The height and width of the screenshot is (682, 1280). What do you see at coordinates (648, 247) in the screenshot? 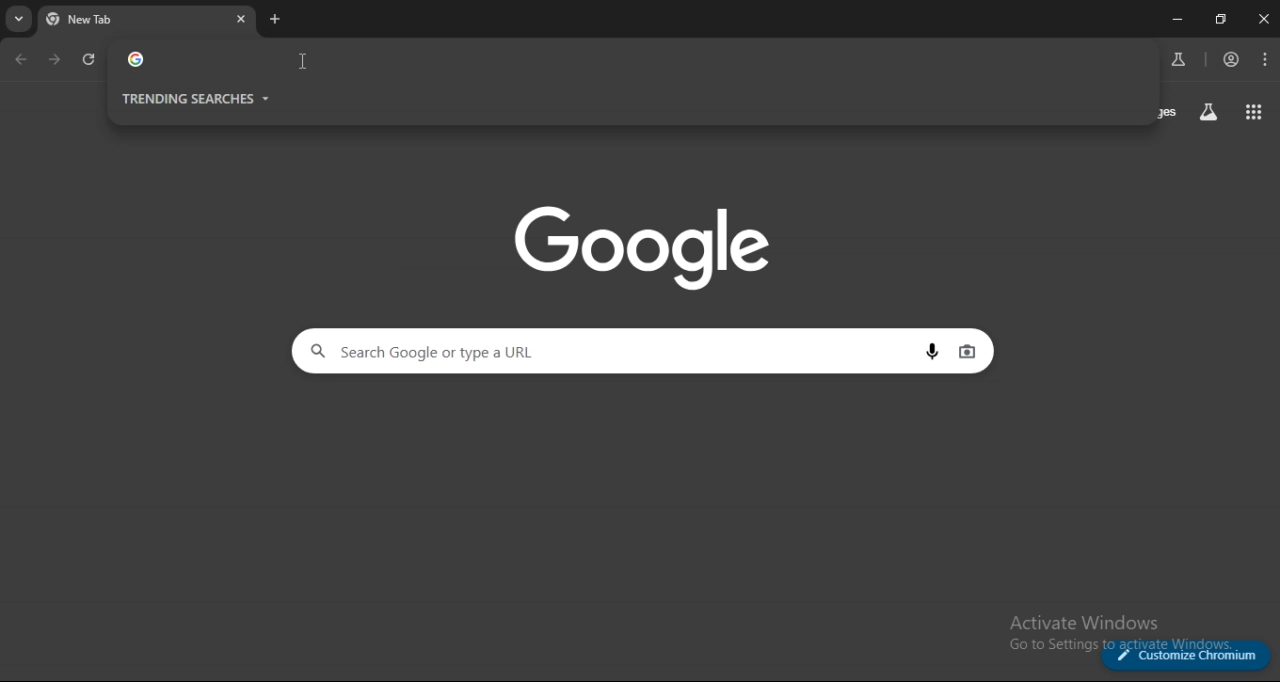
I see `Google` at bounding box center [648, 247].